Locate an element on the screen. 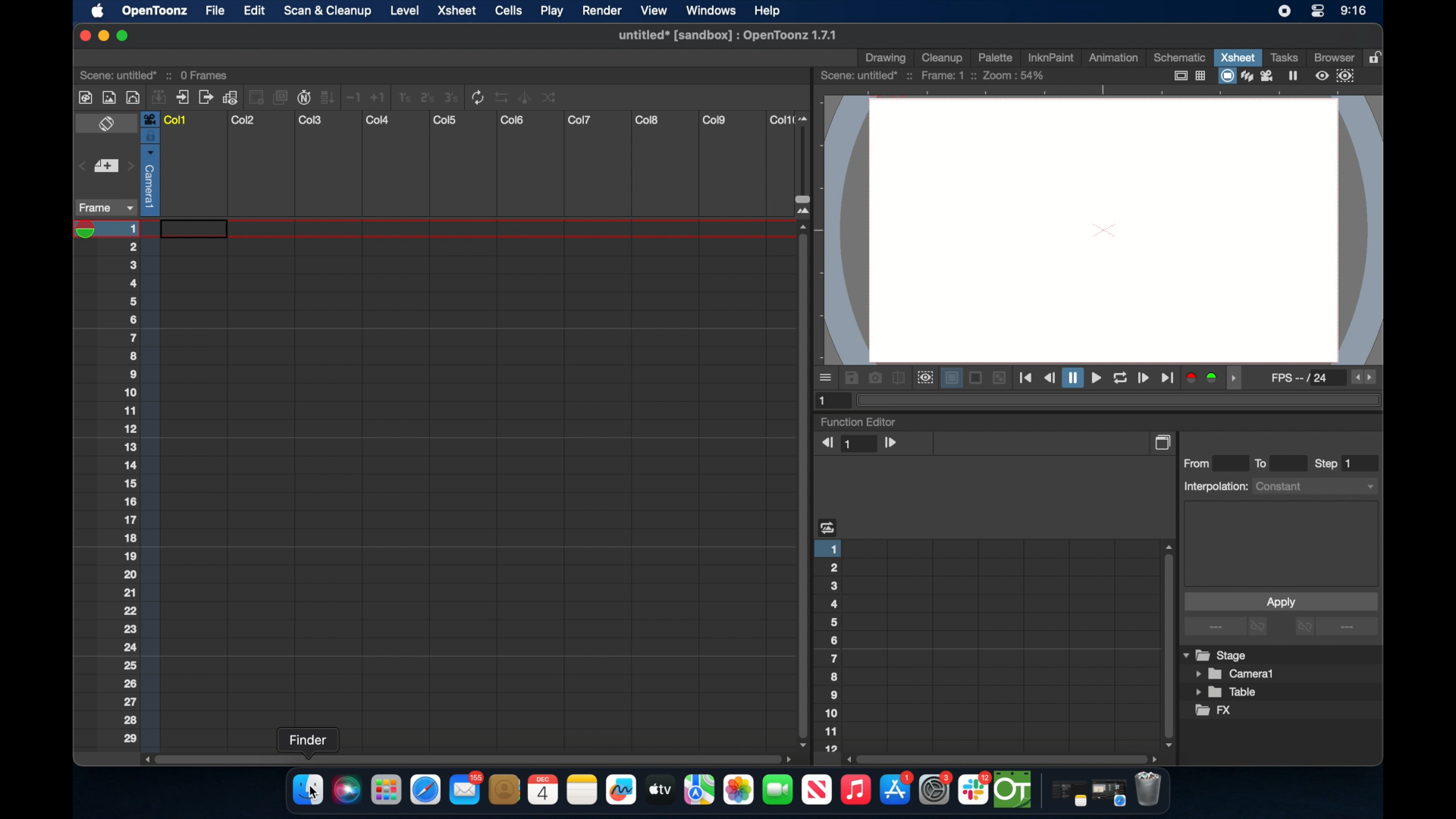 Image resolution: width=1456 pixels, height=819 pixels. schematic is located at coordinates (1180, 57).